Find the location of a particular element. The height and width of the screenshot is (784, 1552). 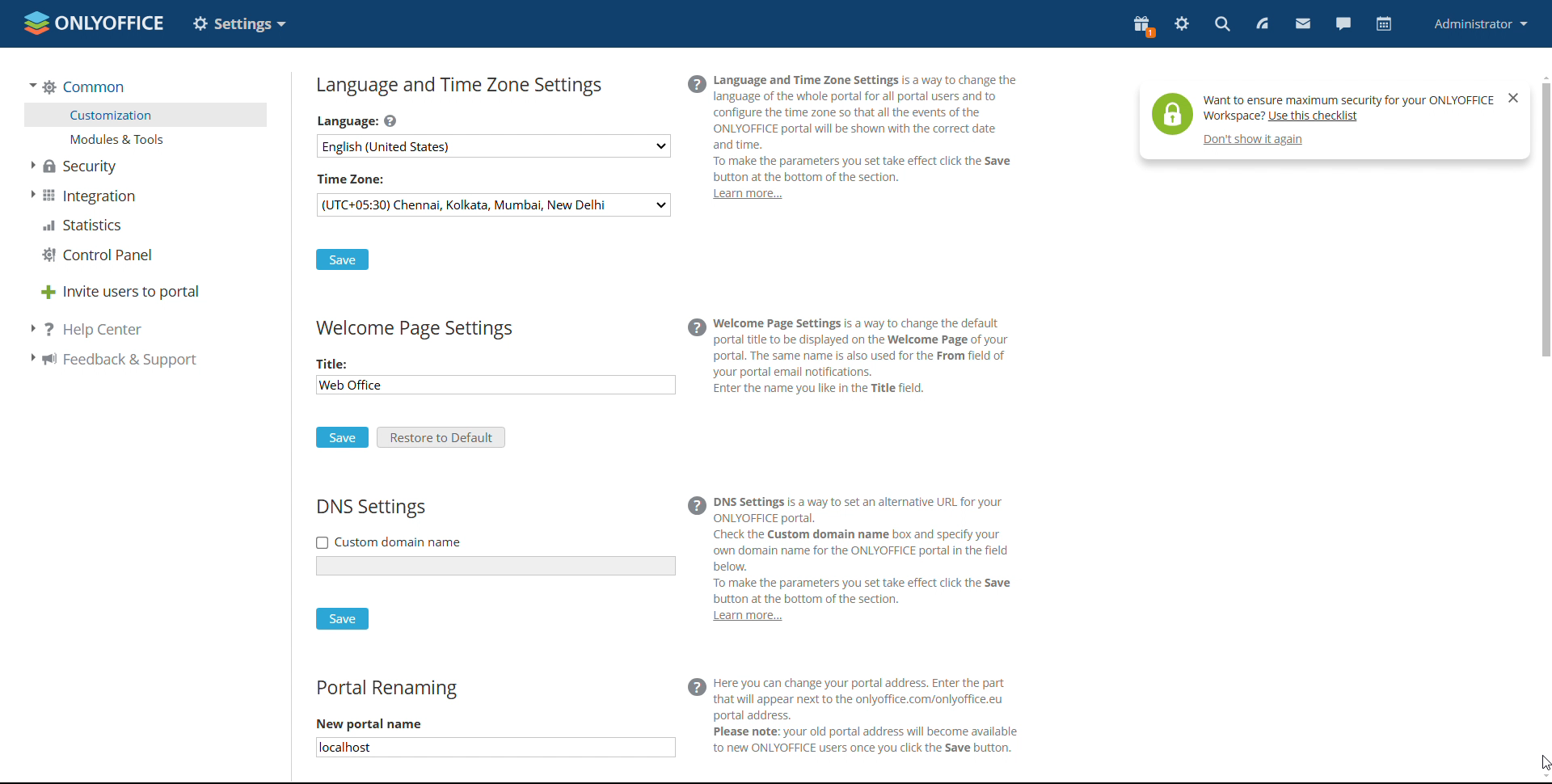

New portal name is located at coordinates (371, 725).